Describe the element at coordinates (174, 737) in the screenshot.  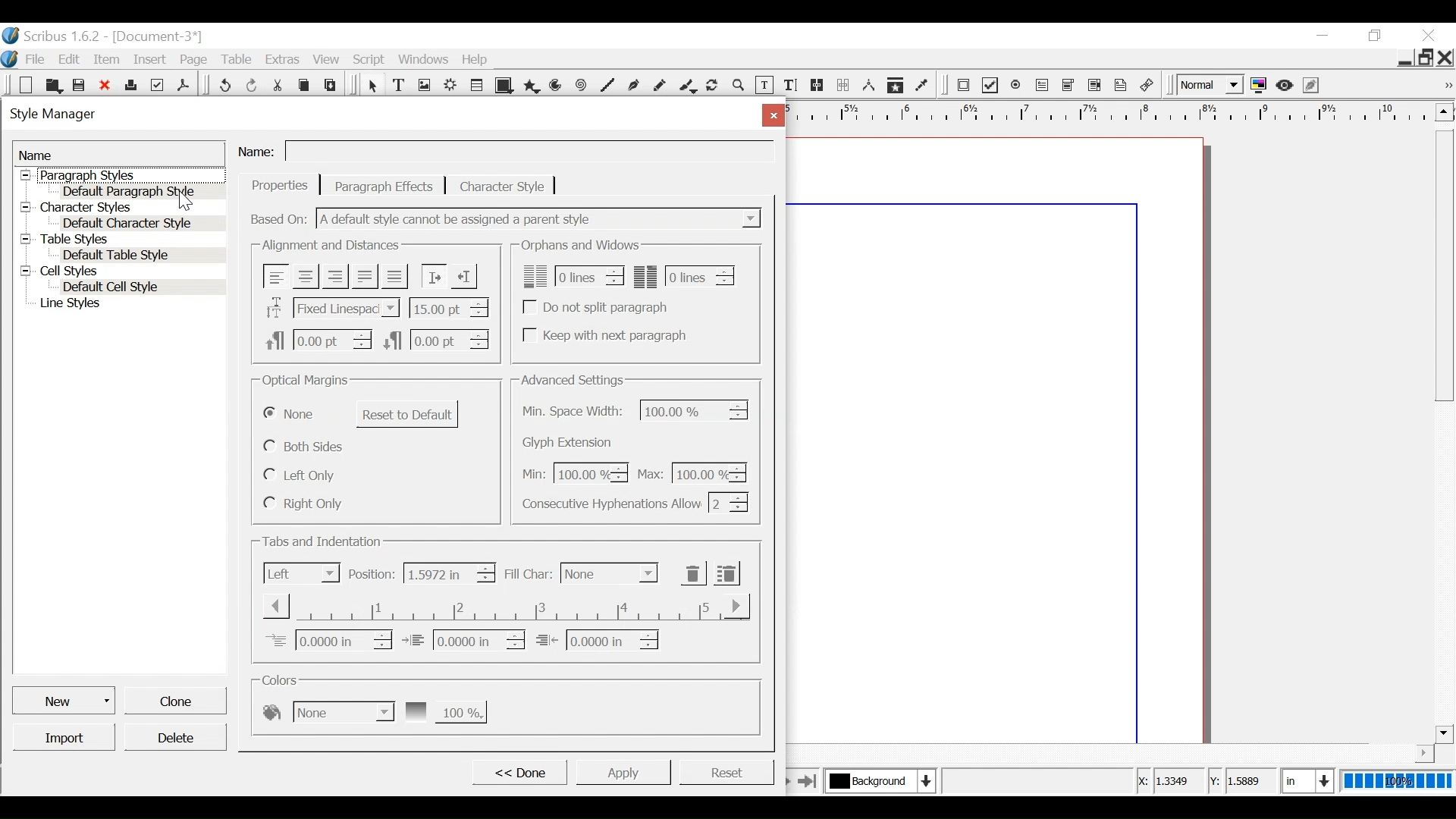
I see `Delete` at that location.